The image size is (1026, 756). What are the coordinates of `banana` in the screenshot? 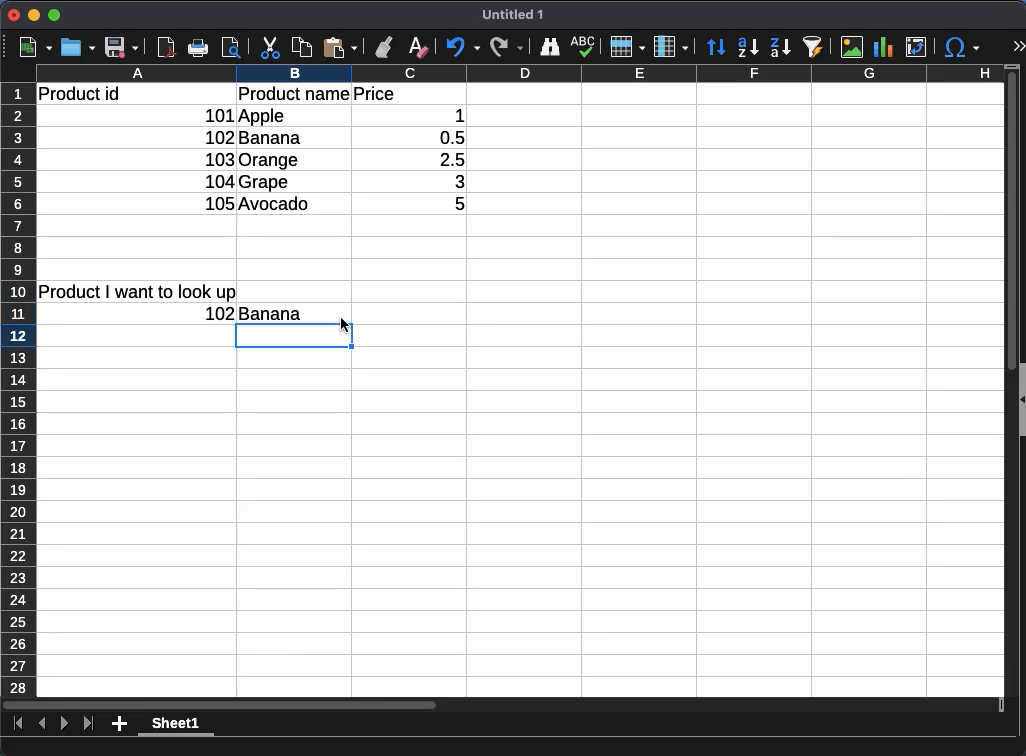 It's located at (275, 313).